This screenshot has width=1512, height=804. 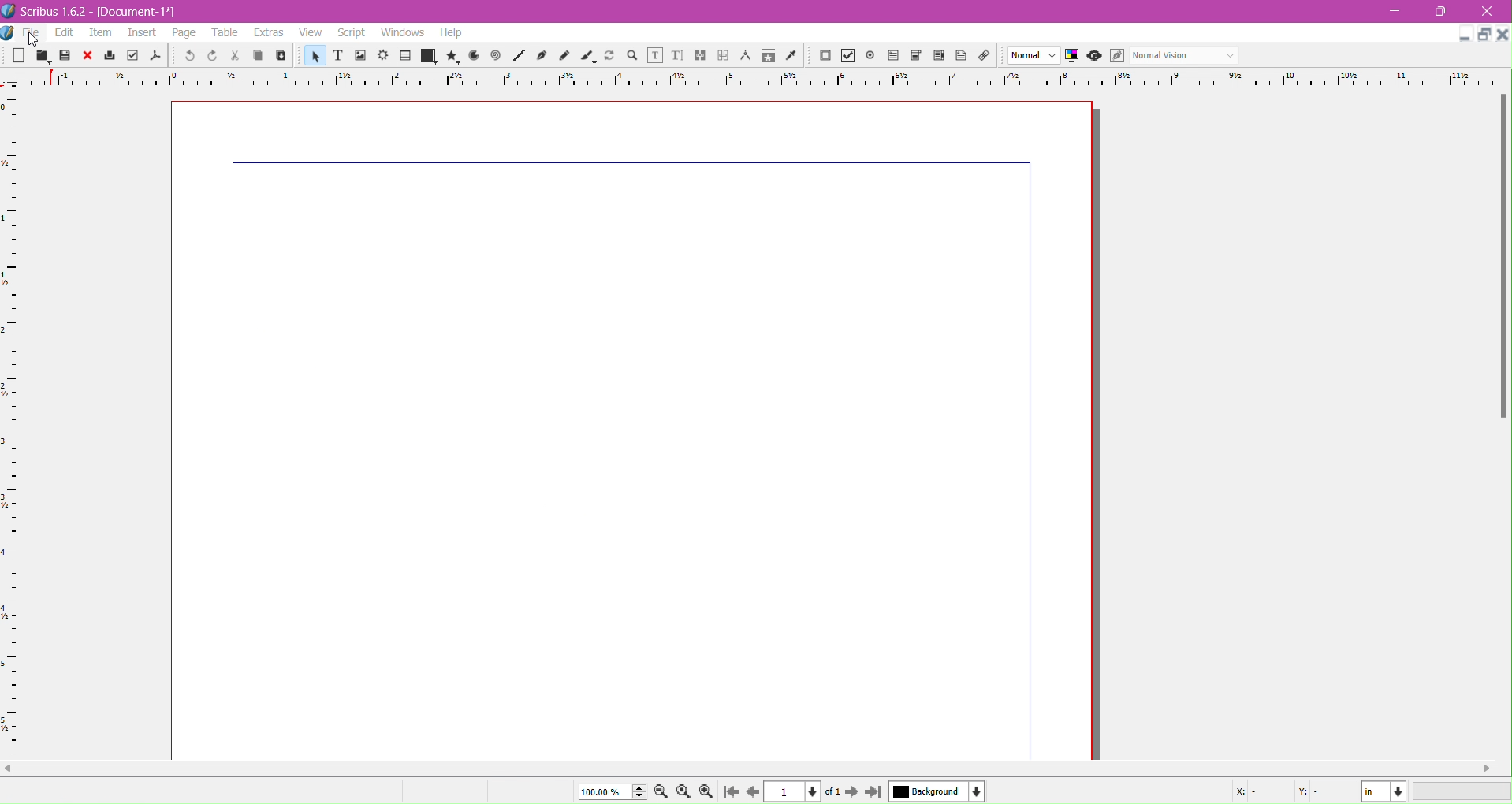 What do you see at coordinates (32, 33) in the screenshot?
I see `file menu` at bounding box center [32, 33].